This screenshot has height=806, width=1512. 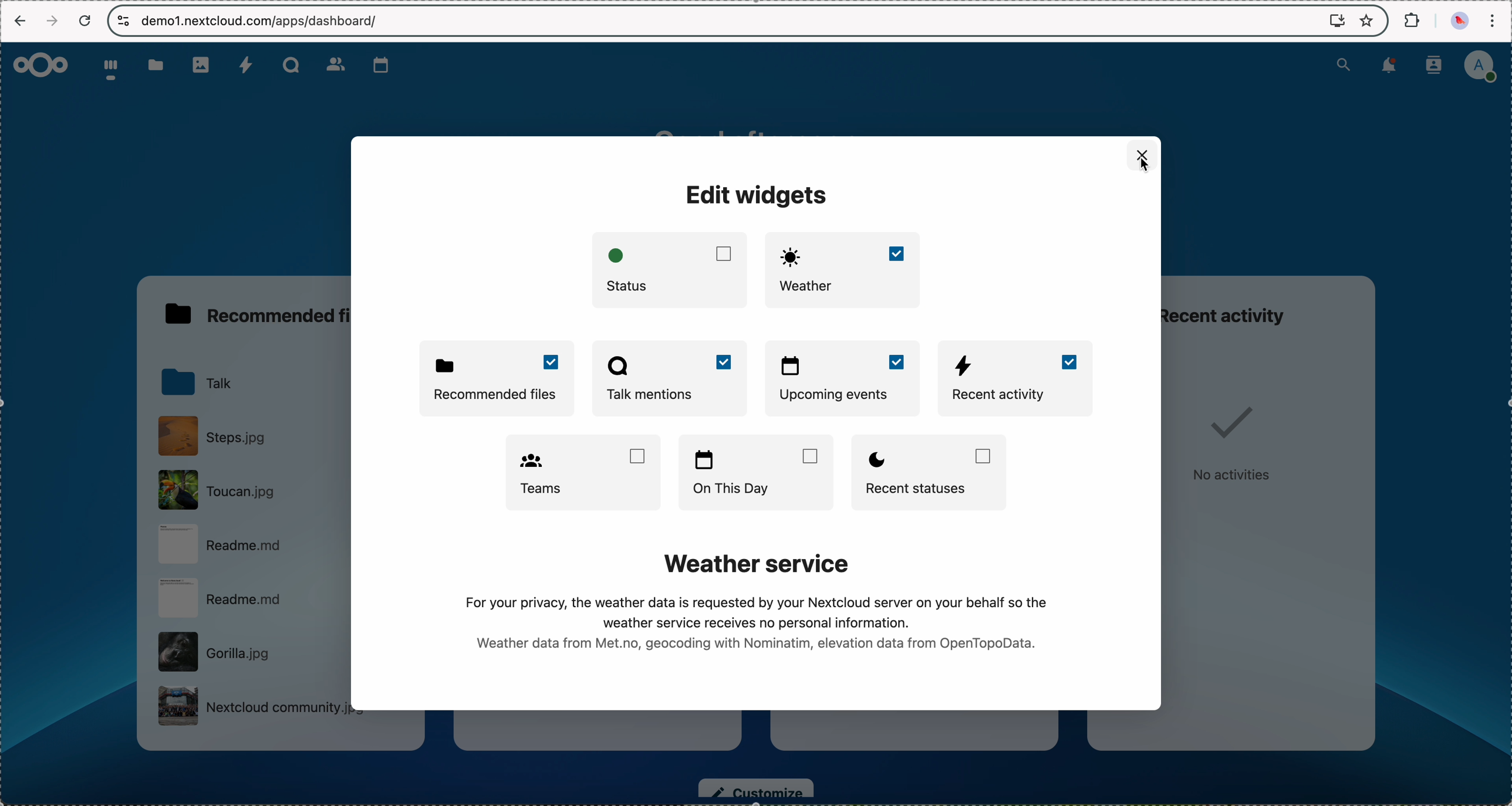 What do you see at coordinates (109, 69) in the screenshot?
I see `dashboard` at bounding box center [109, 69].